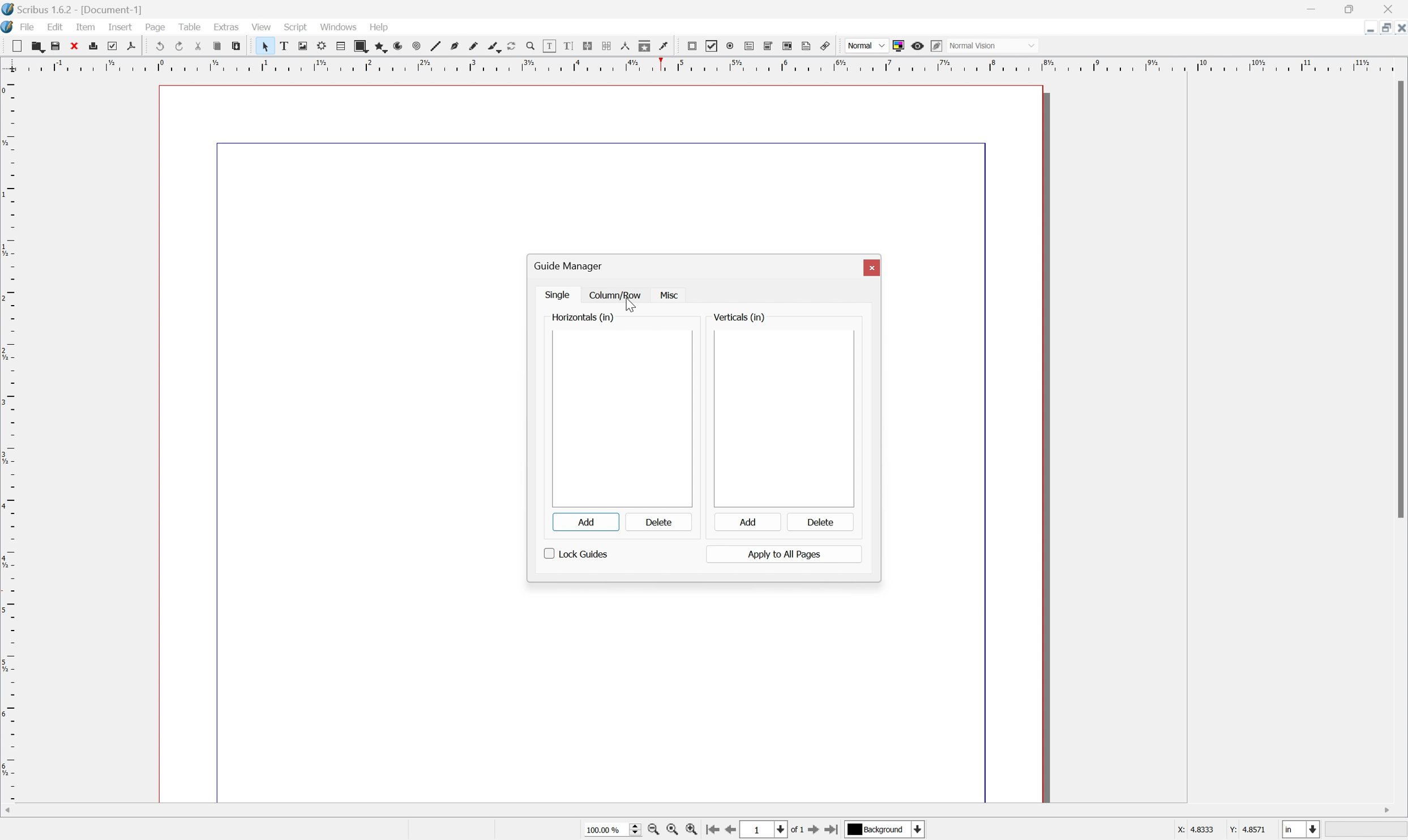  Describe the element at coordinates (570, 46) in the screenshot. I see `edit text with story editor` at that location.